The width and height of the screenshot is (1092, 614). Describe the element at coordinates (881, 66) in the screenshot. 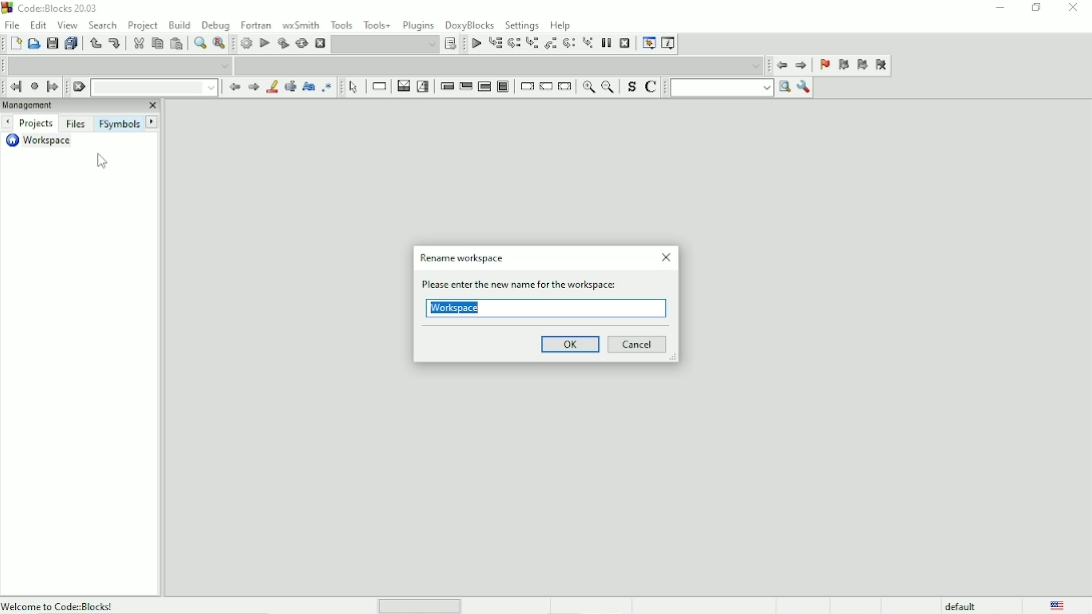

I see `Clear bookmarks` at that location.